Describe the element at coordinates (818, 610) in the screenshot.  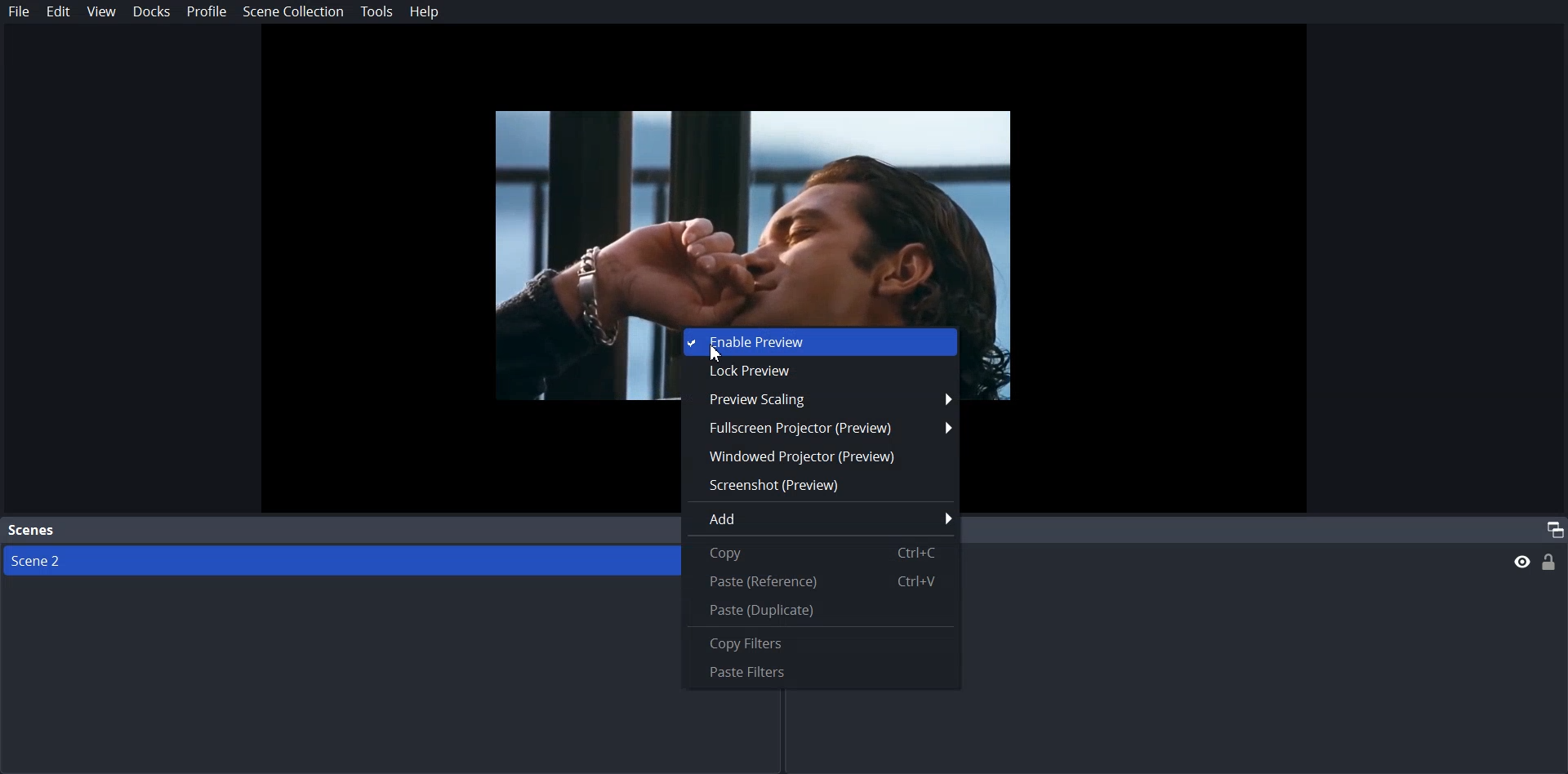
I see `Paste(Duplicate)` at that location.